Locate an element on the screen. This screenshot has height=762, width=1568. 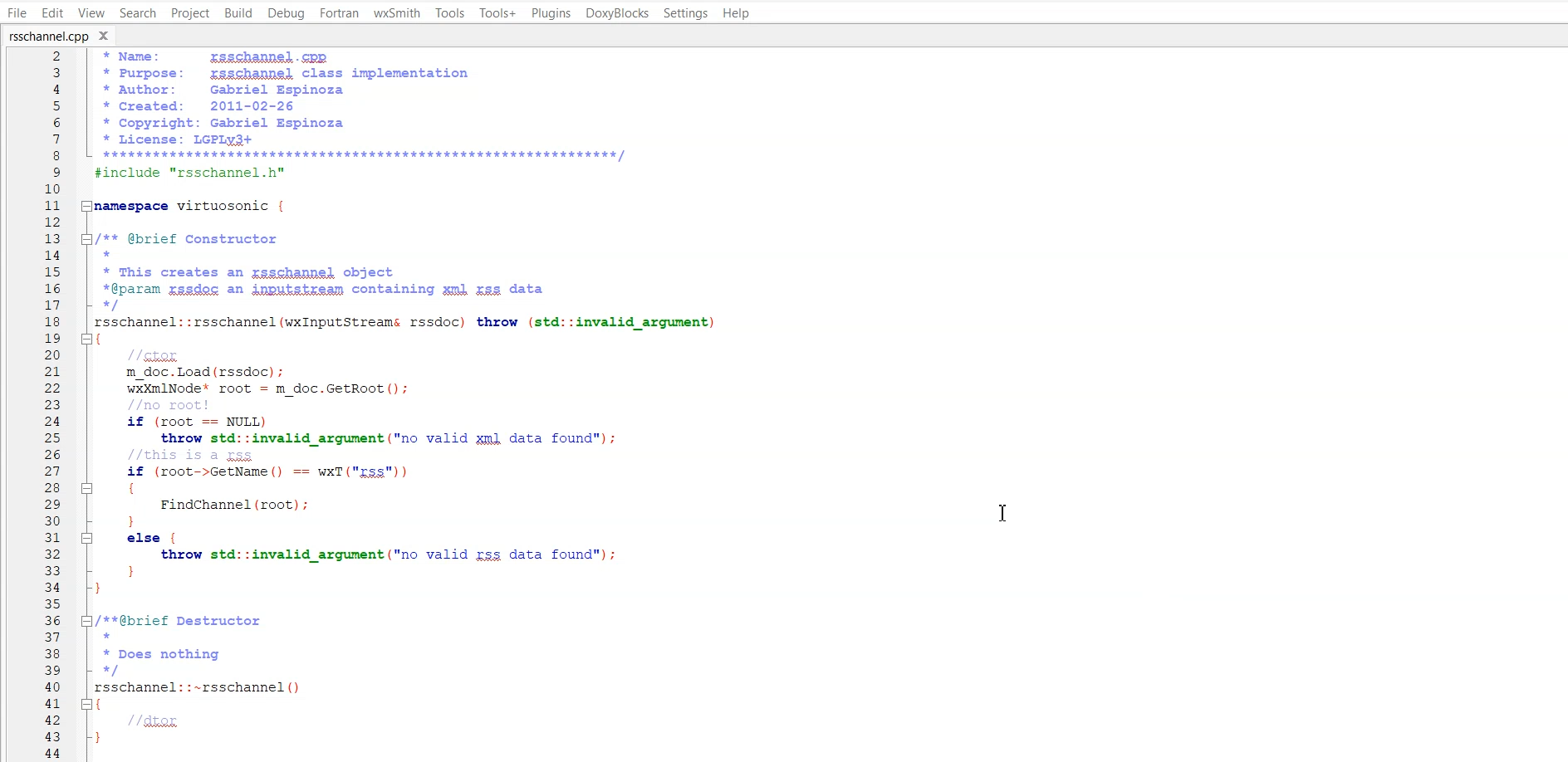
Collapse is located at coordinates (88, 539).